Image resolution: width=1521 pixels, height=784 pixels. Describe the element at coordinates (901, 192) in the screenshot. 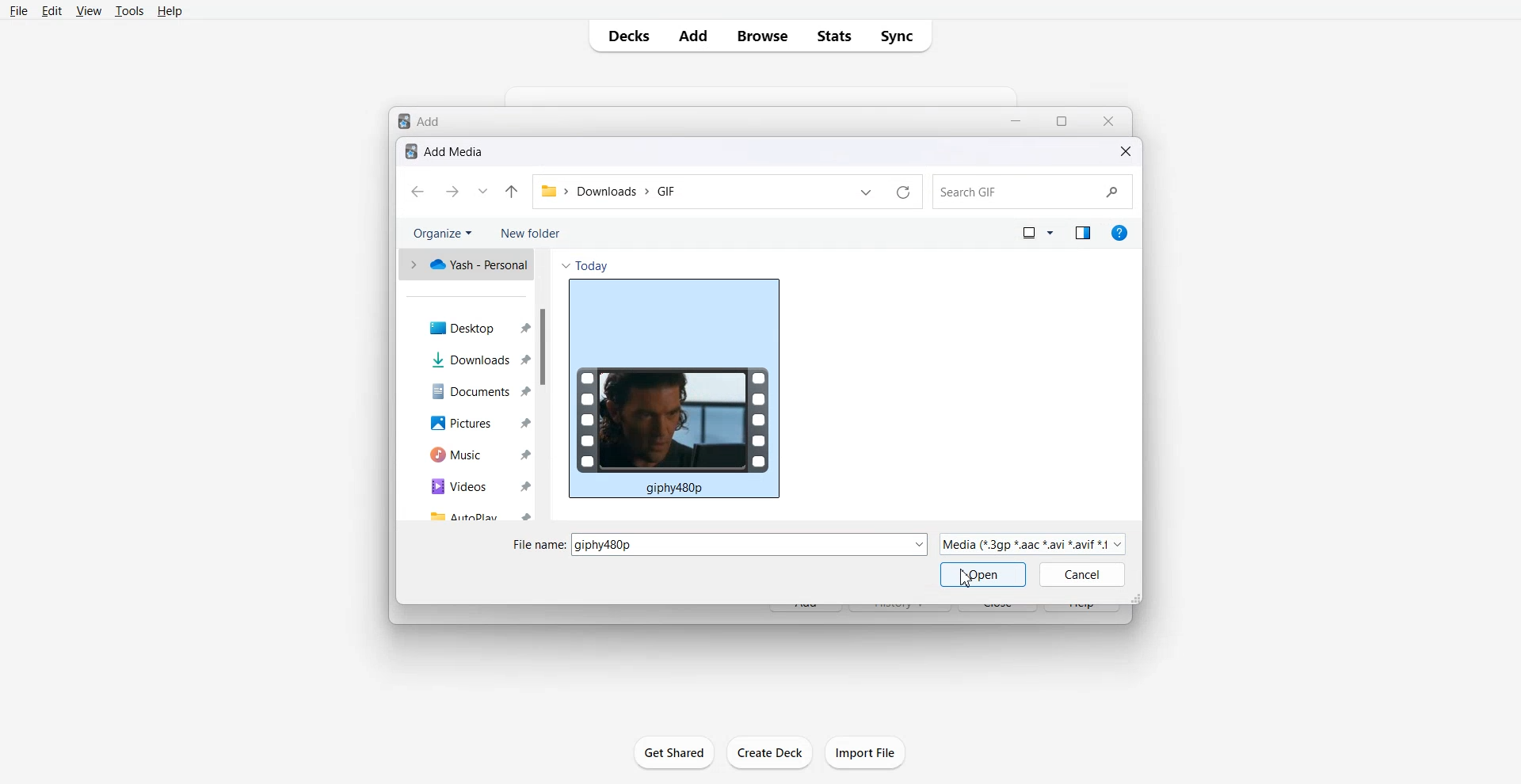

I see `Refresh` at that location.